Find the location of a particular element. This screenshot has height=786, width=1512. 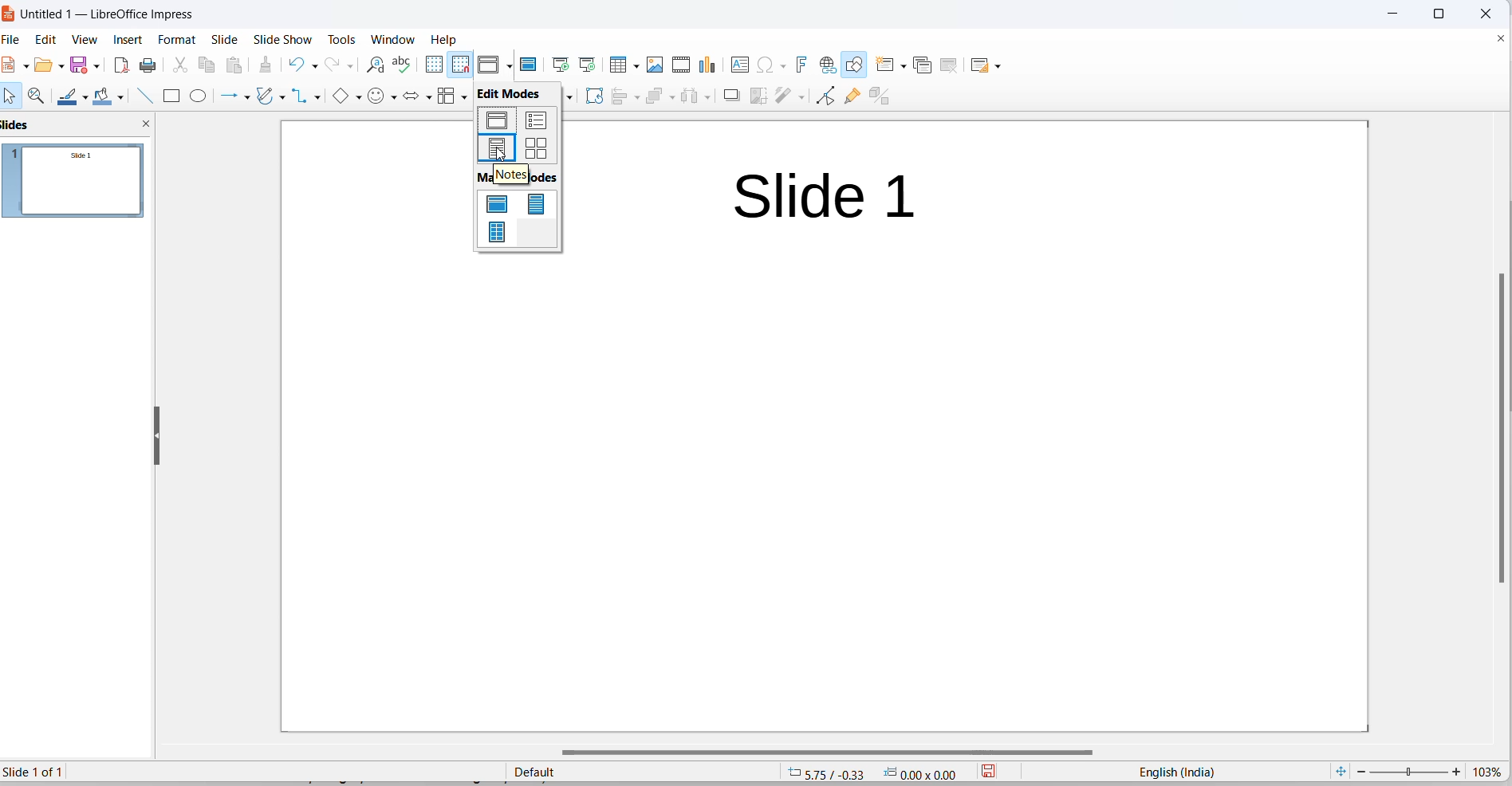

slides and close slideview is located at coordinates (77, 125).